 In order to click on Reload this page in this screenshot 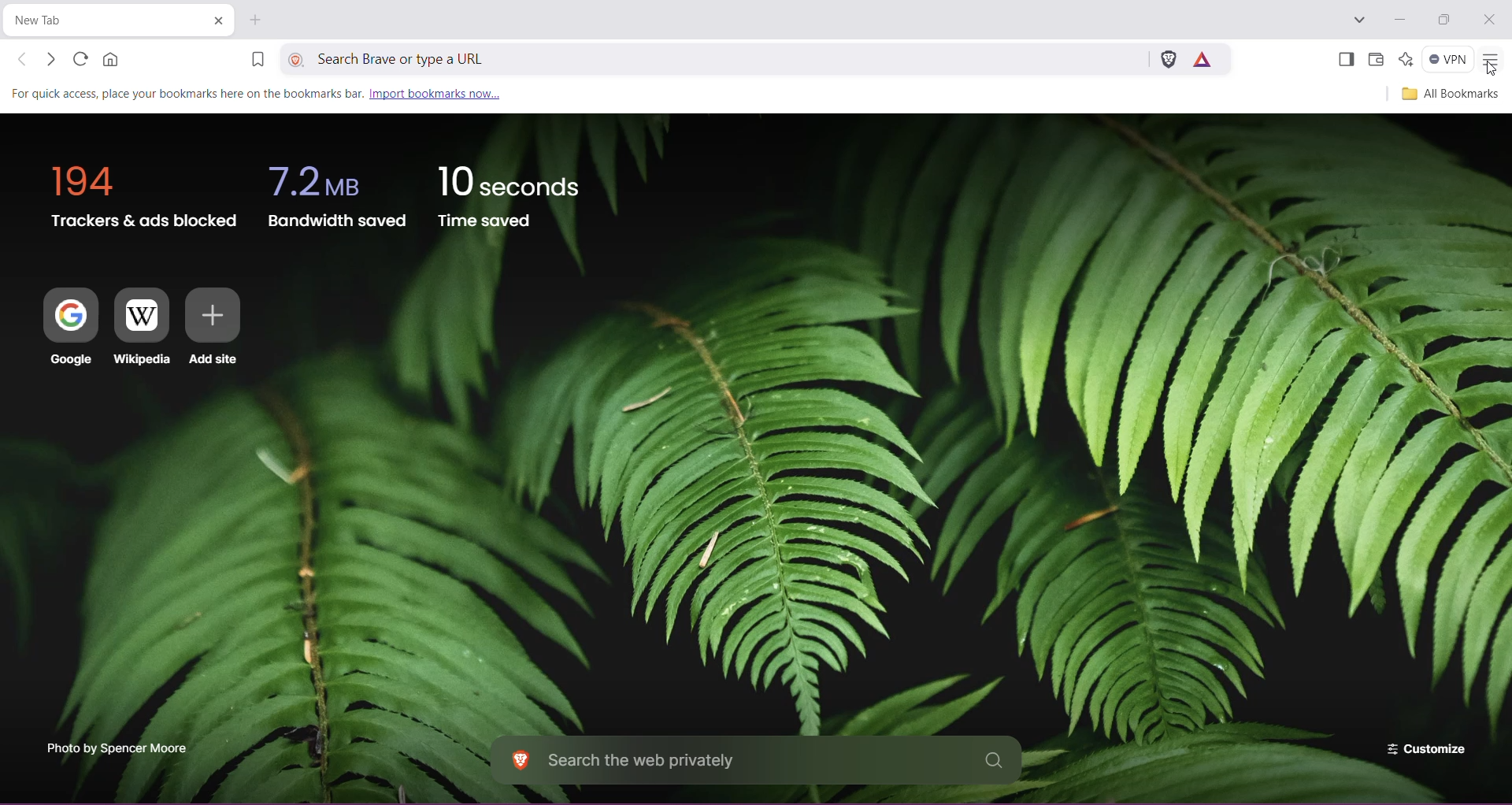, I will do `click(78, 58)`.